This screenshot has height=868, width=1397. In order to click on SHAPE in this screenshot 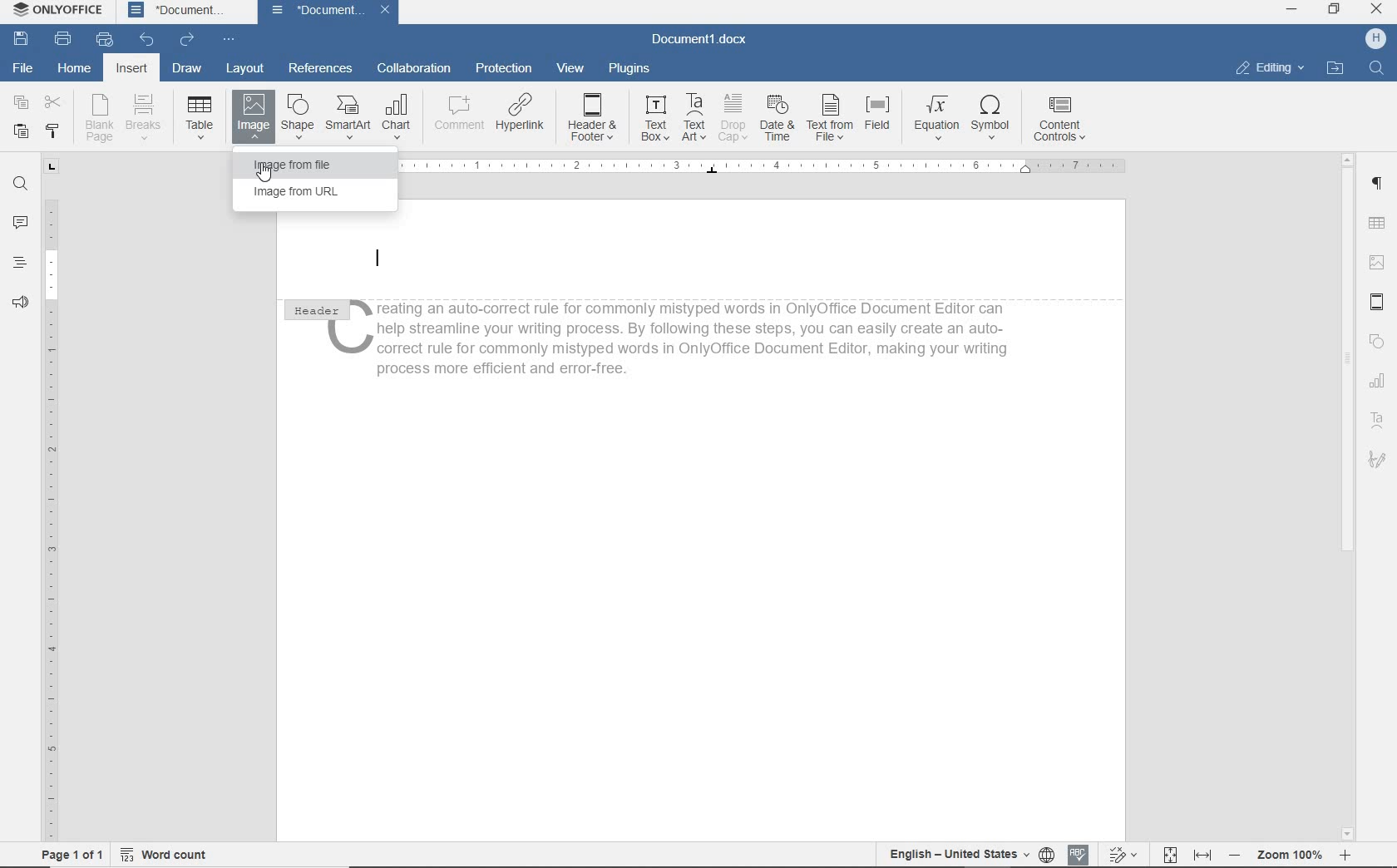, I will do `click(1378, 343)`.